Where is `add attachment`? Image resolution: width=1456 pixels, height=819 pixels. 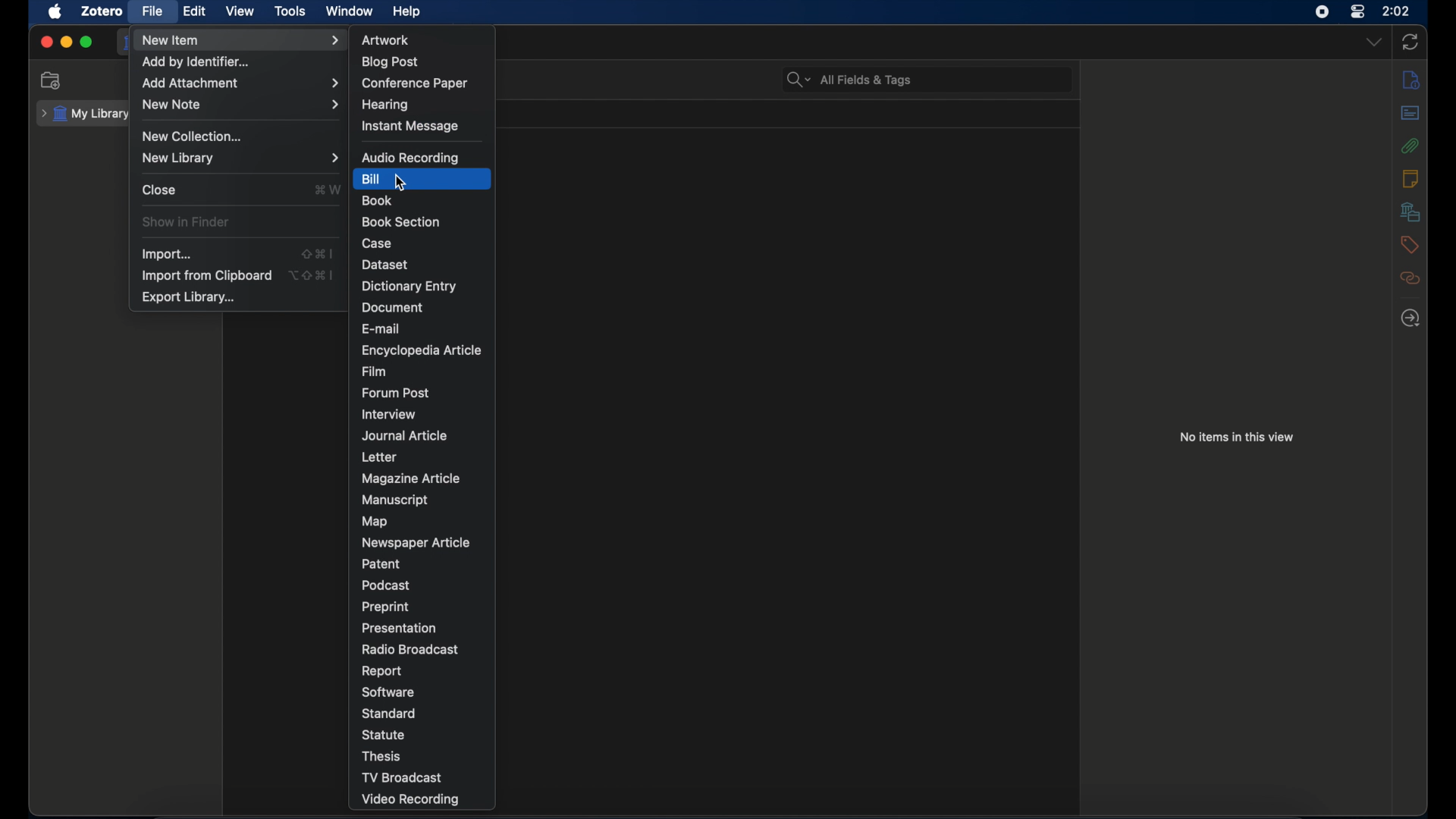
add attachment is located at coordinates (240, 84).